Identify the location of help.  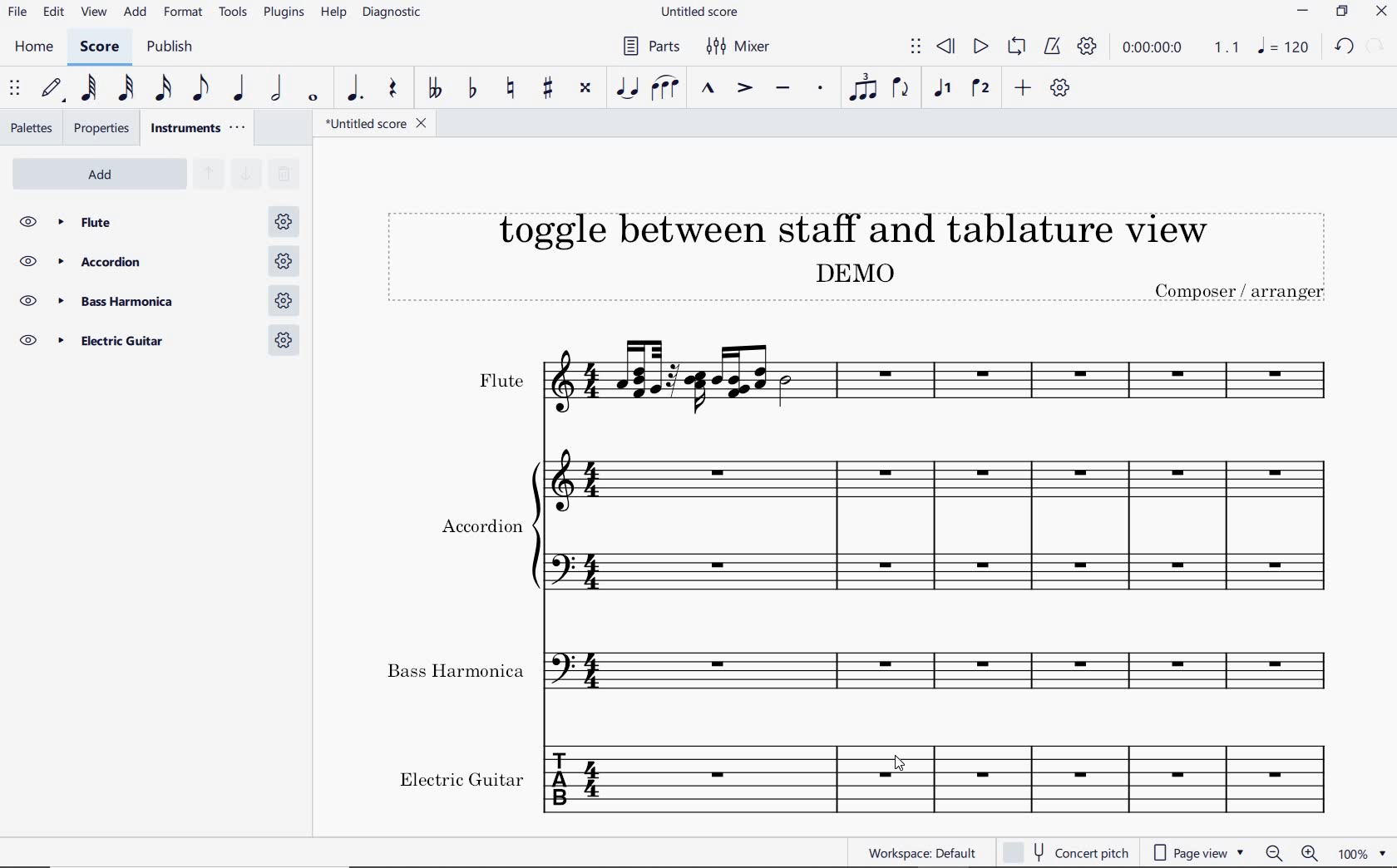
(333, 14).